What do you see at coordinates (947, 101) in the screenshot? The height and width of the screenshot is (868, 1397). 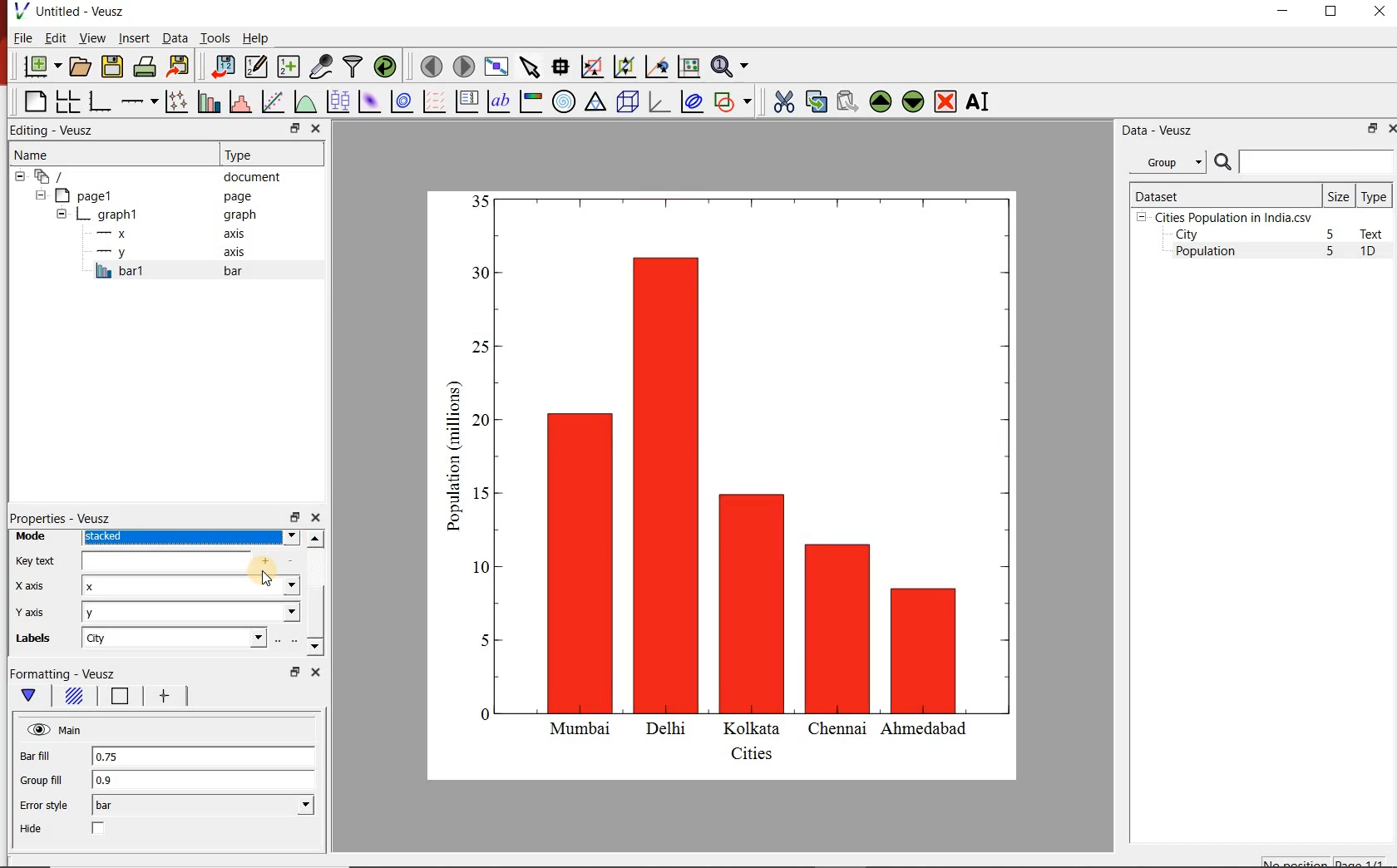 I see `remove the selected widgets` at bounding box center [947, 101].